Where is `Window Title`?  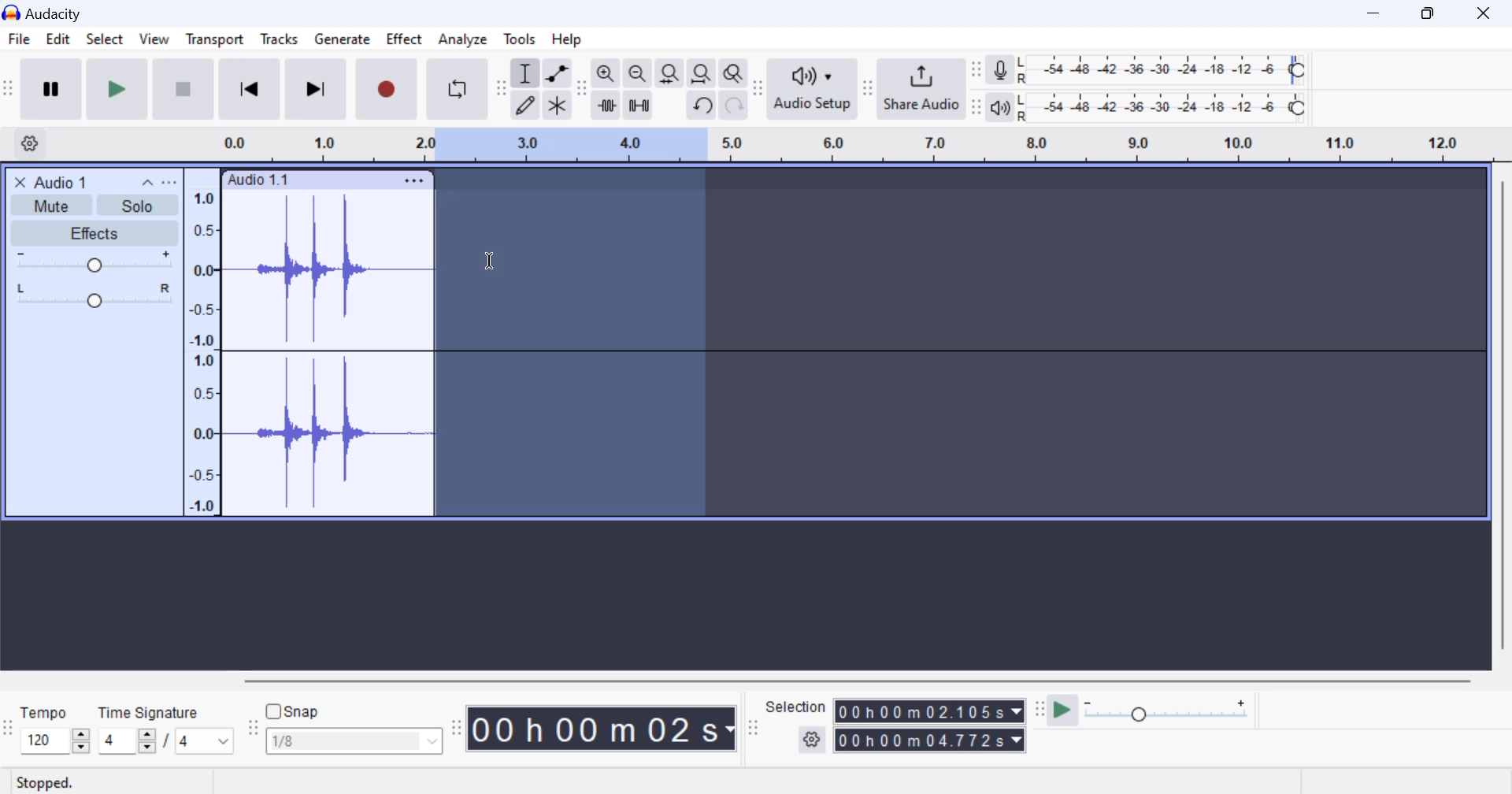 Window Title is located at coordinates (50, 13).